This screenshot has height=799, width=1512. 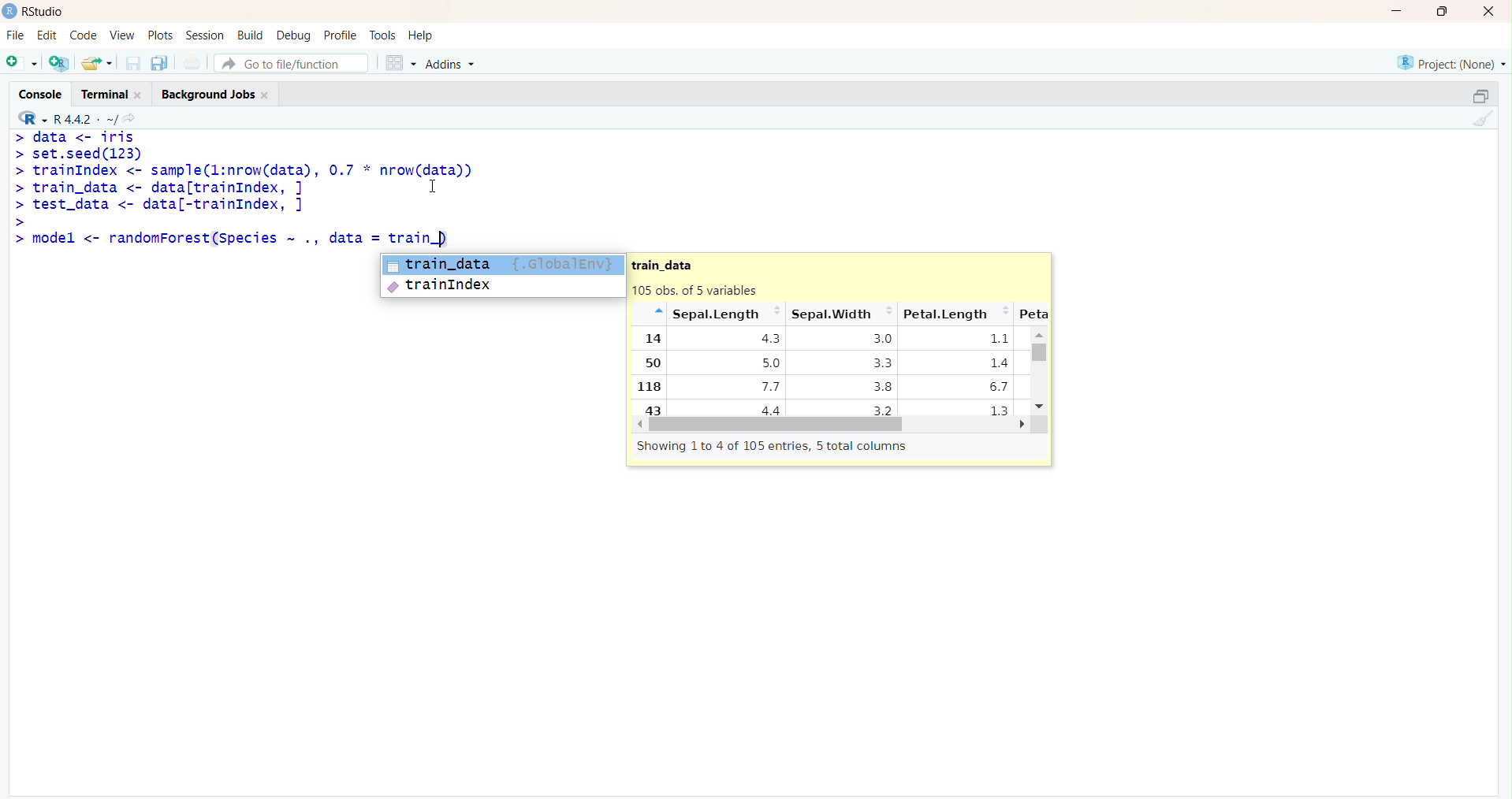 I want to click on View the current working directory, so click(x=136, y=117).